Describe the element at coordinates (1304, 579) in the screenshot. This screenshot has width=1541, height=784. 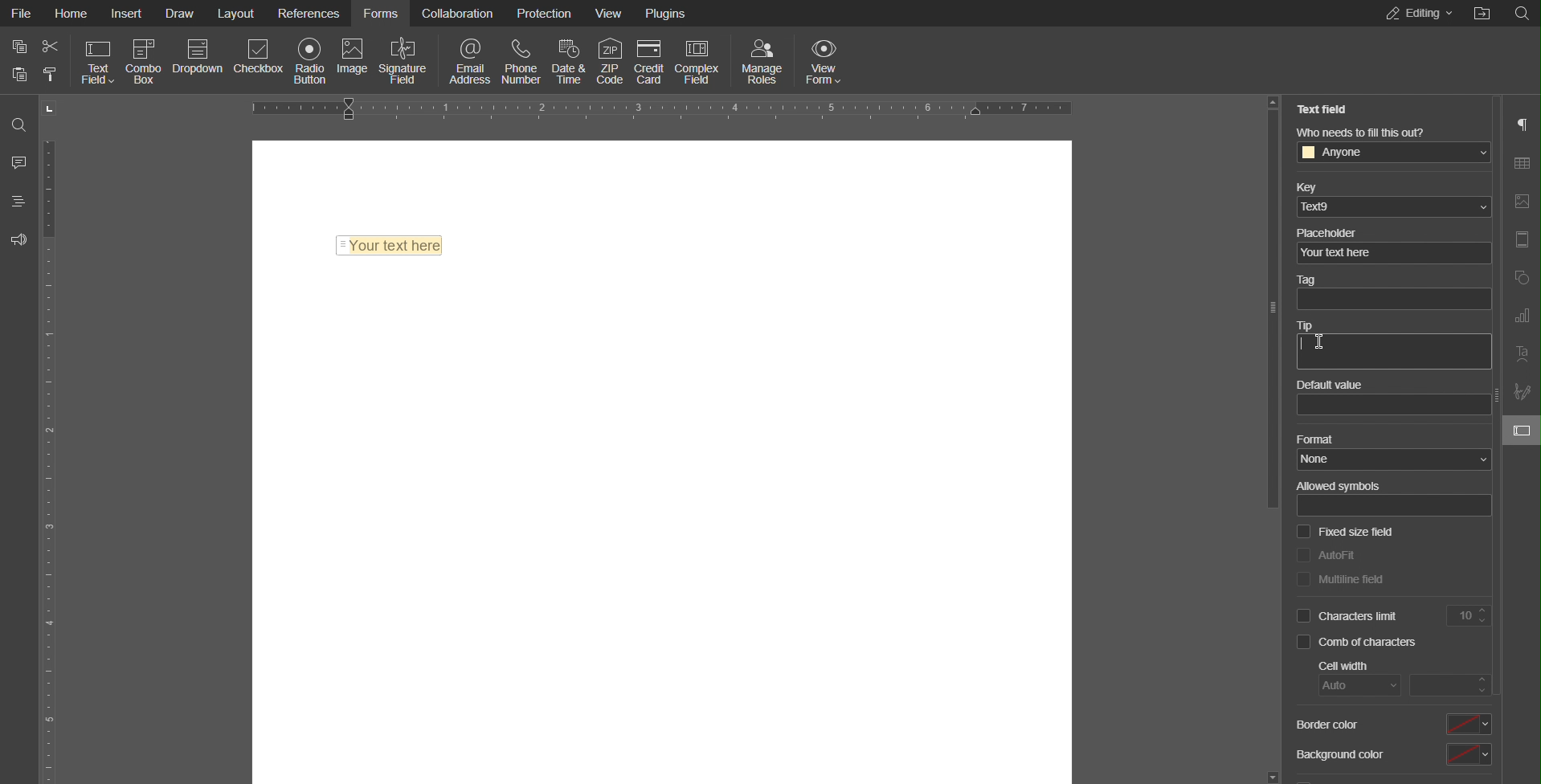
I see `checkbox` at that location.